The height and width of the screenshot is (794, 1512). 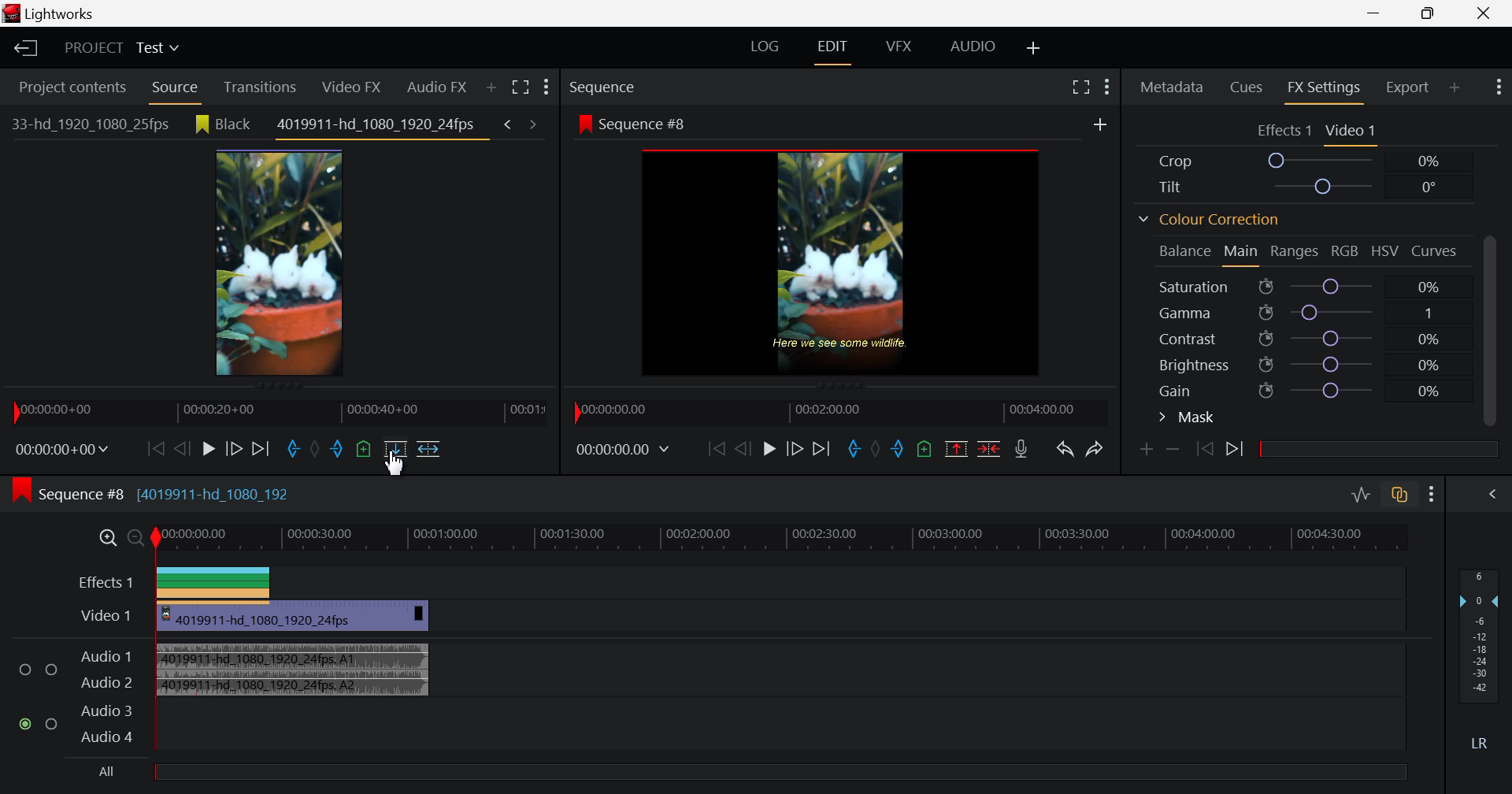 What do you see at coordinates (643, 87) in the screenshot?
I see `Sequence Preview Section` at bounding box center [643, 87].